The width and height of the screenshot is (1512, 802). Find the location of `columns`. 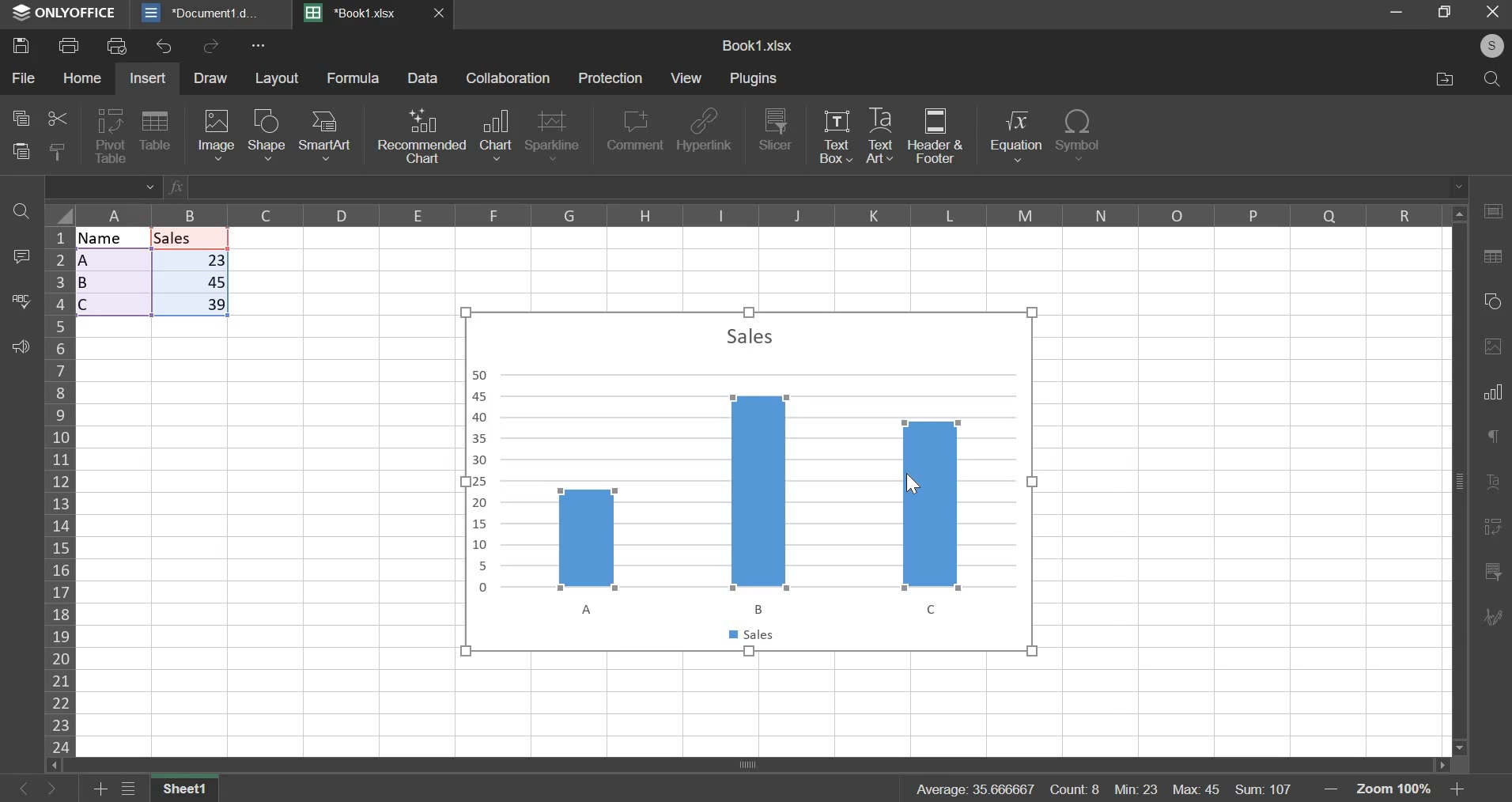

columns is located at coordinates (745, 213).